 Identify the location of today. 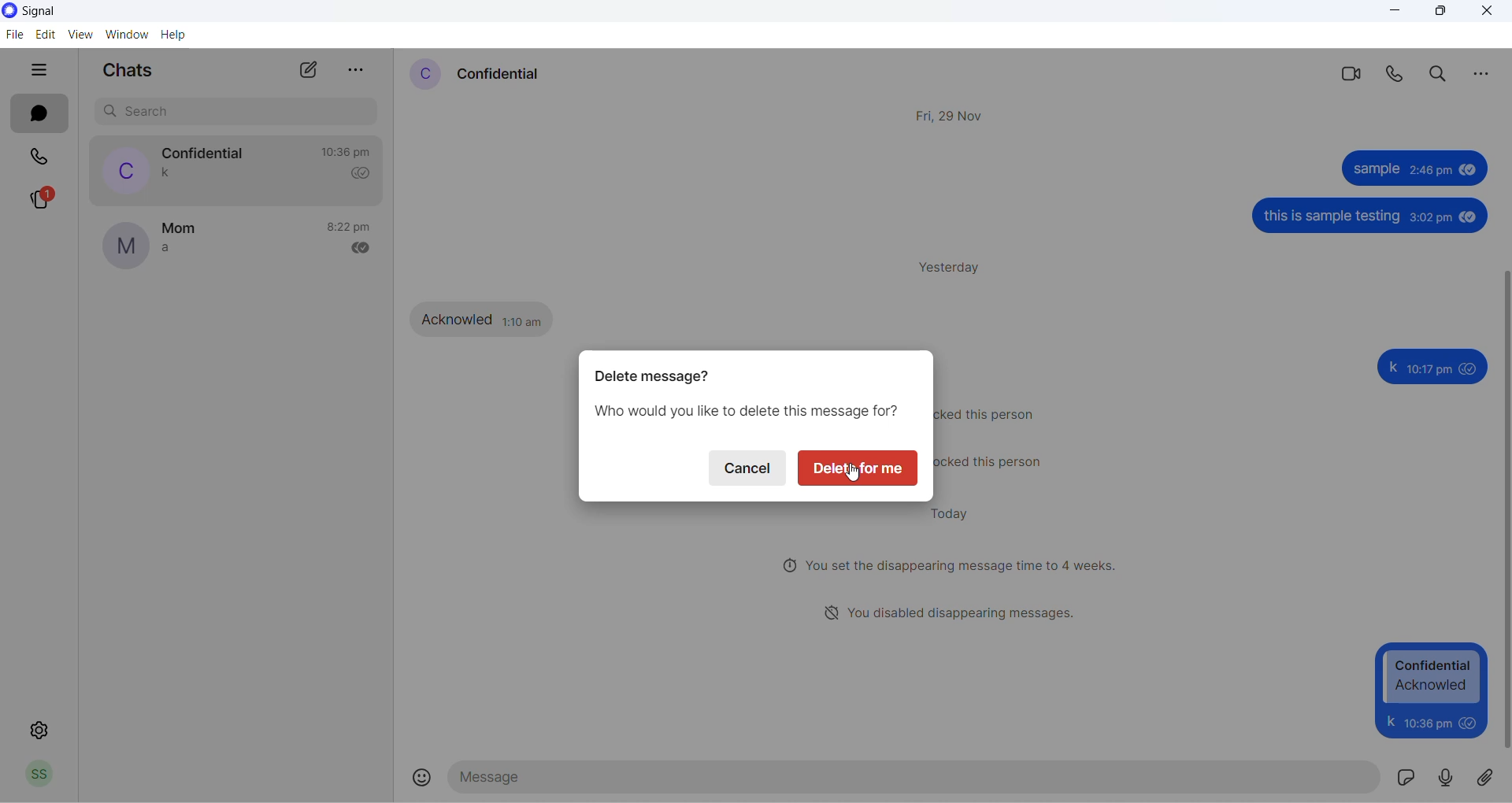
(951, 515).